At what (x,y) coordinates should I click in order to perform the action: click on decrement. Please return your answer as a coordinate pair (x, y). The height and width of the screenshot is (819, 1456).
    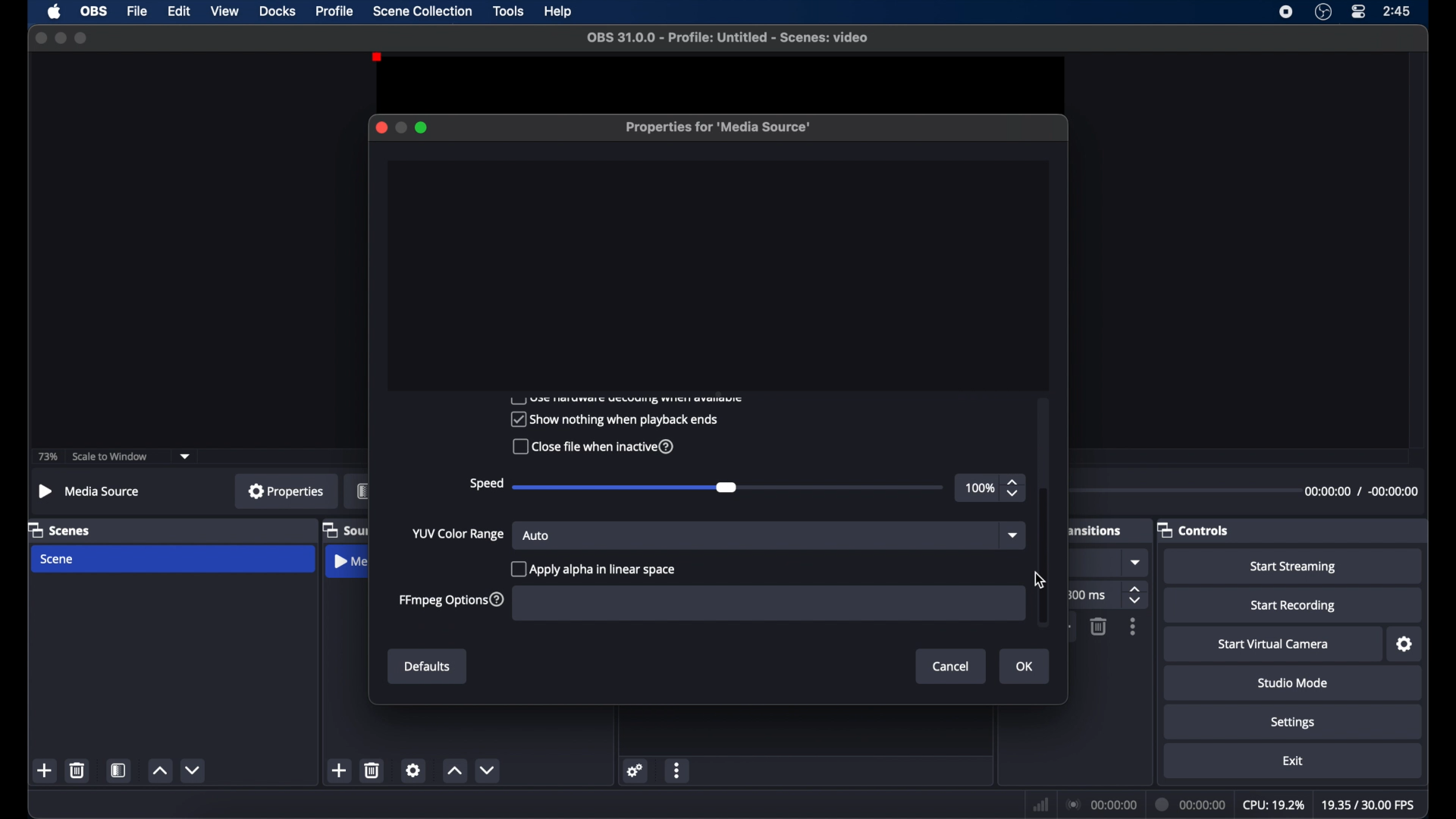
    Looking at the image, I should click on (194, 770).